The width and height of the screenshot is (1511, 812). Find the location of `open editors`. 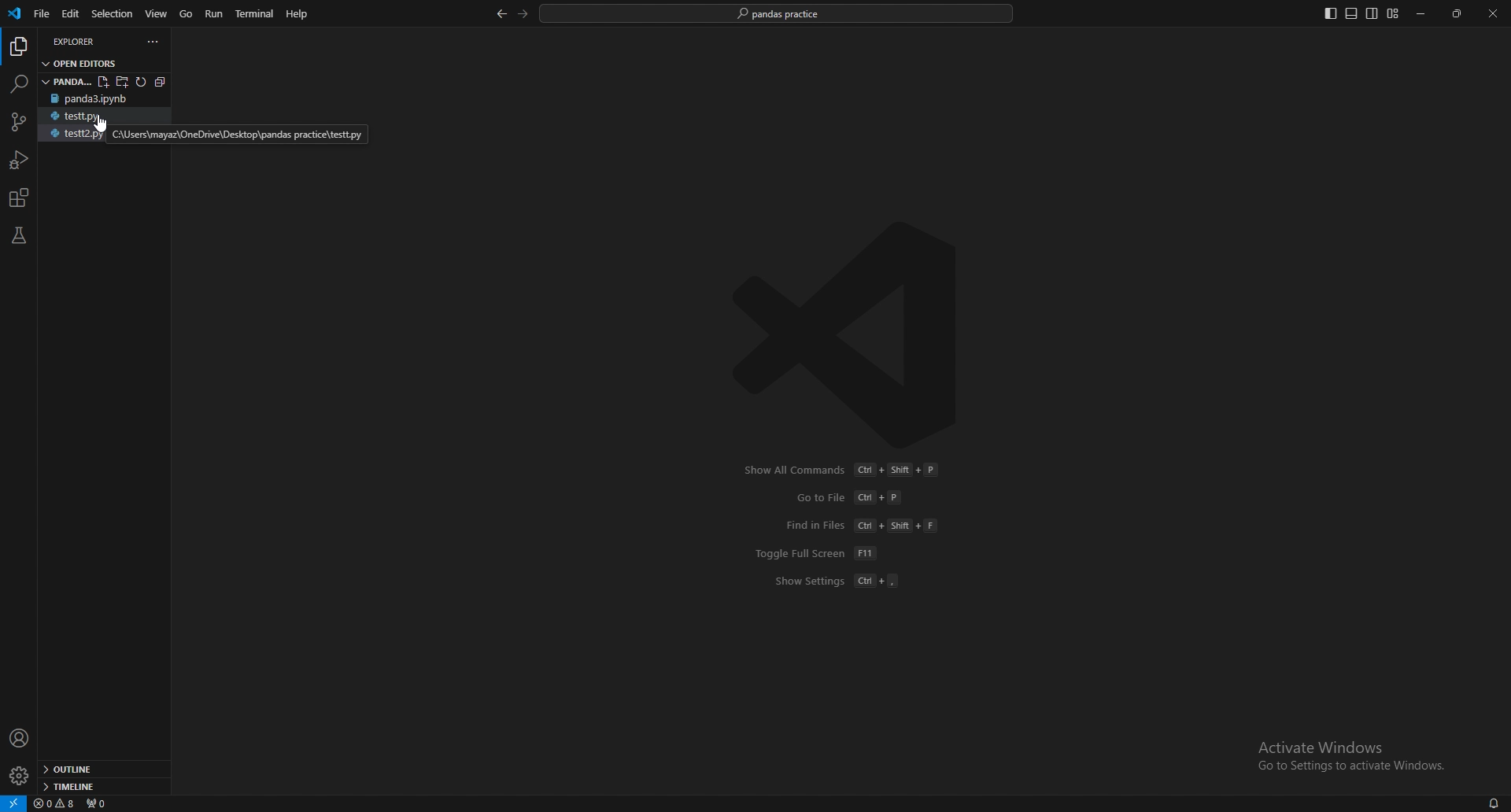

open editors is located at coordinates (99, 62).